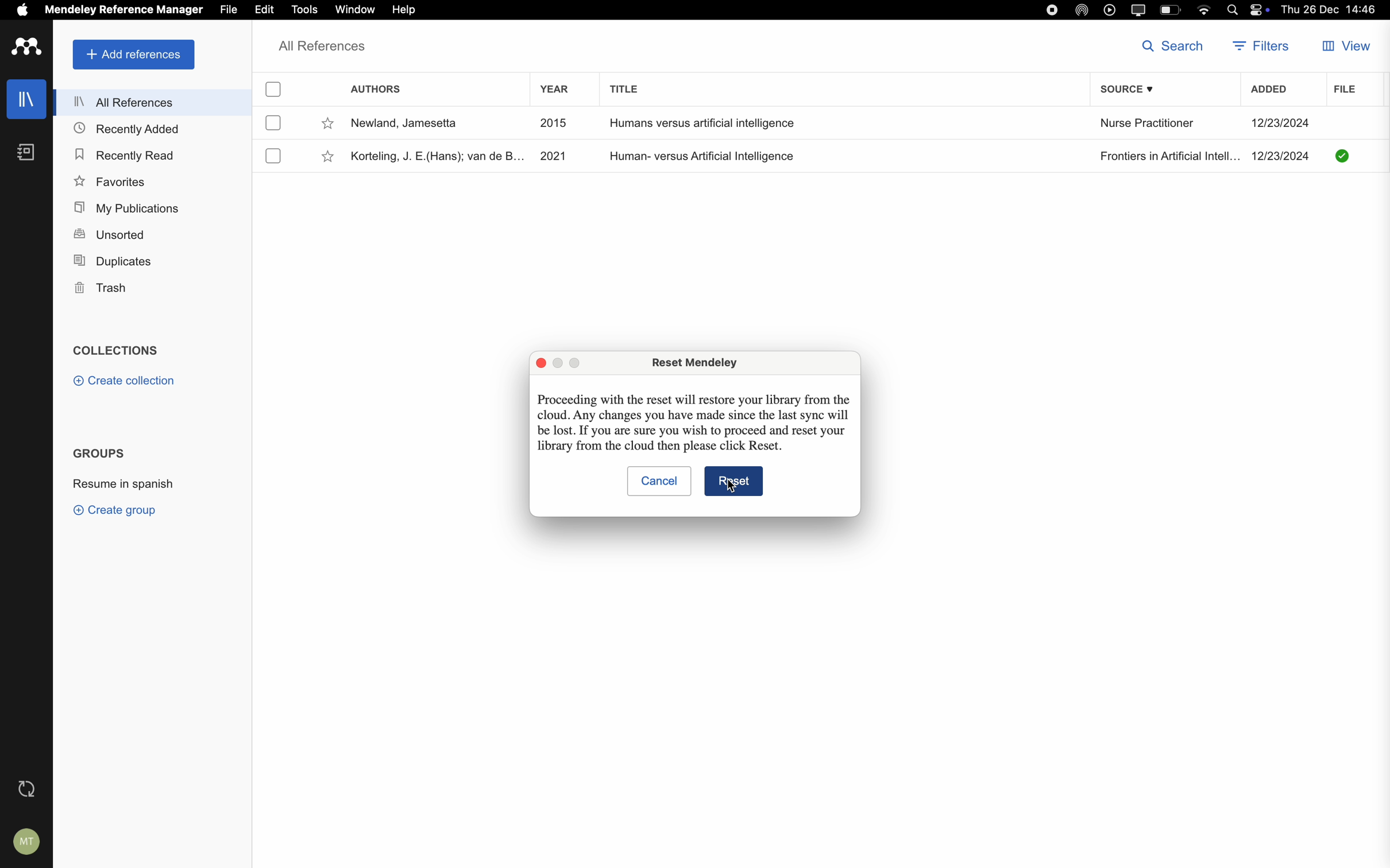 This screenshot has height=868, width=1390. What do you see at coordinates (539, 365) in the screenshot?
I see `close pop-up` at bounding box center [539, 365].